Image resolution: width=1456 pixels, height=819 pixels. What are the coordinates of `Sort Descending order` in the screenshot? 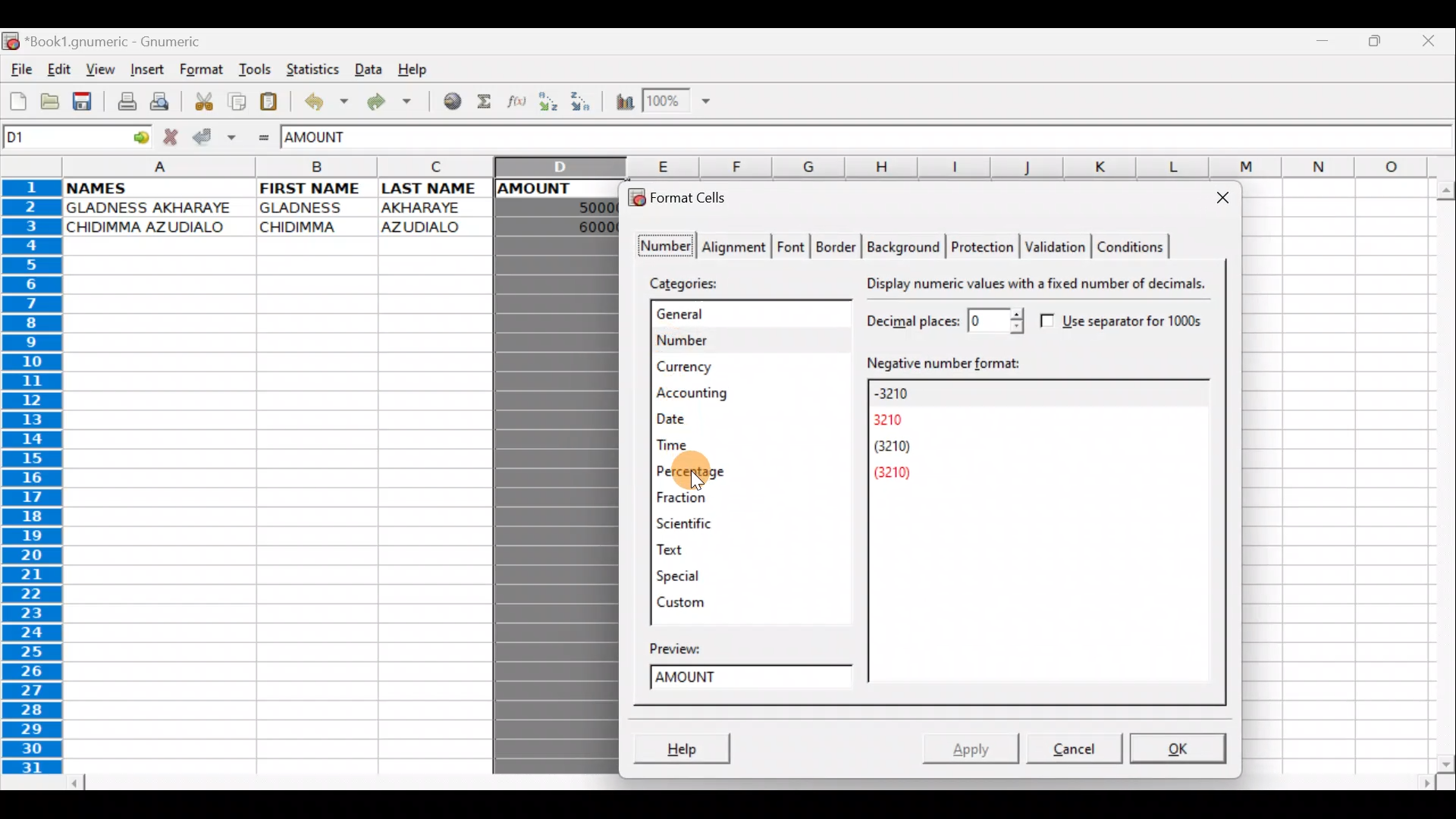 It's located at (582, 102).